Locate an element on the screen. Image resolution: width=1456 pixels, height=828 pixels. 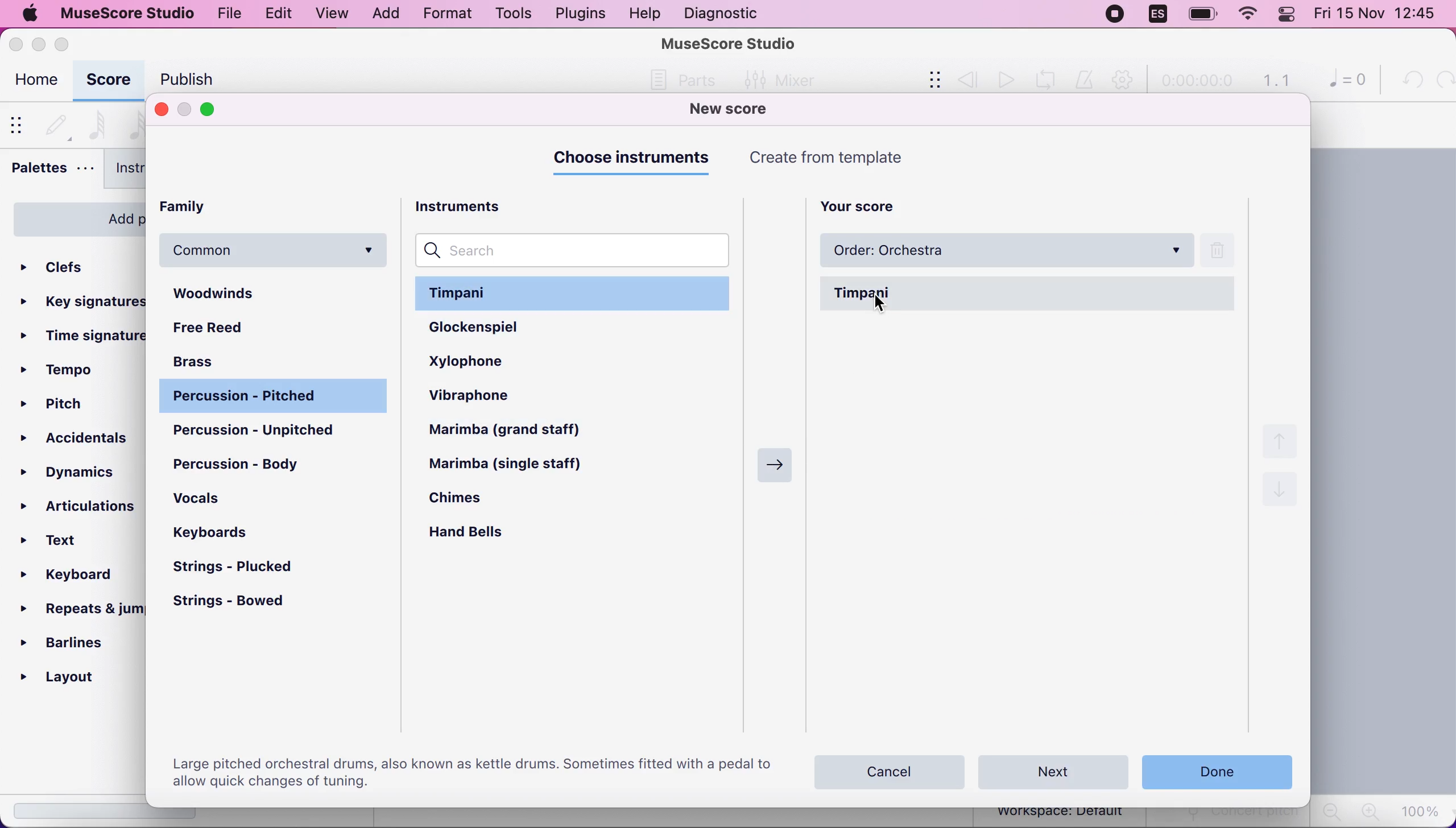
new score is located at coordinates (744, 110).